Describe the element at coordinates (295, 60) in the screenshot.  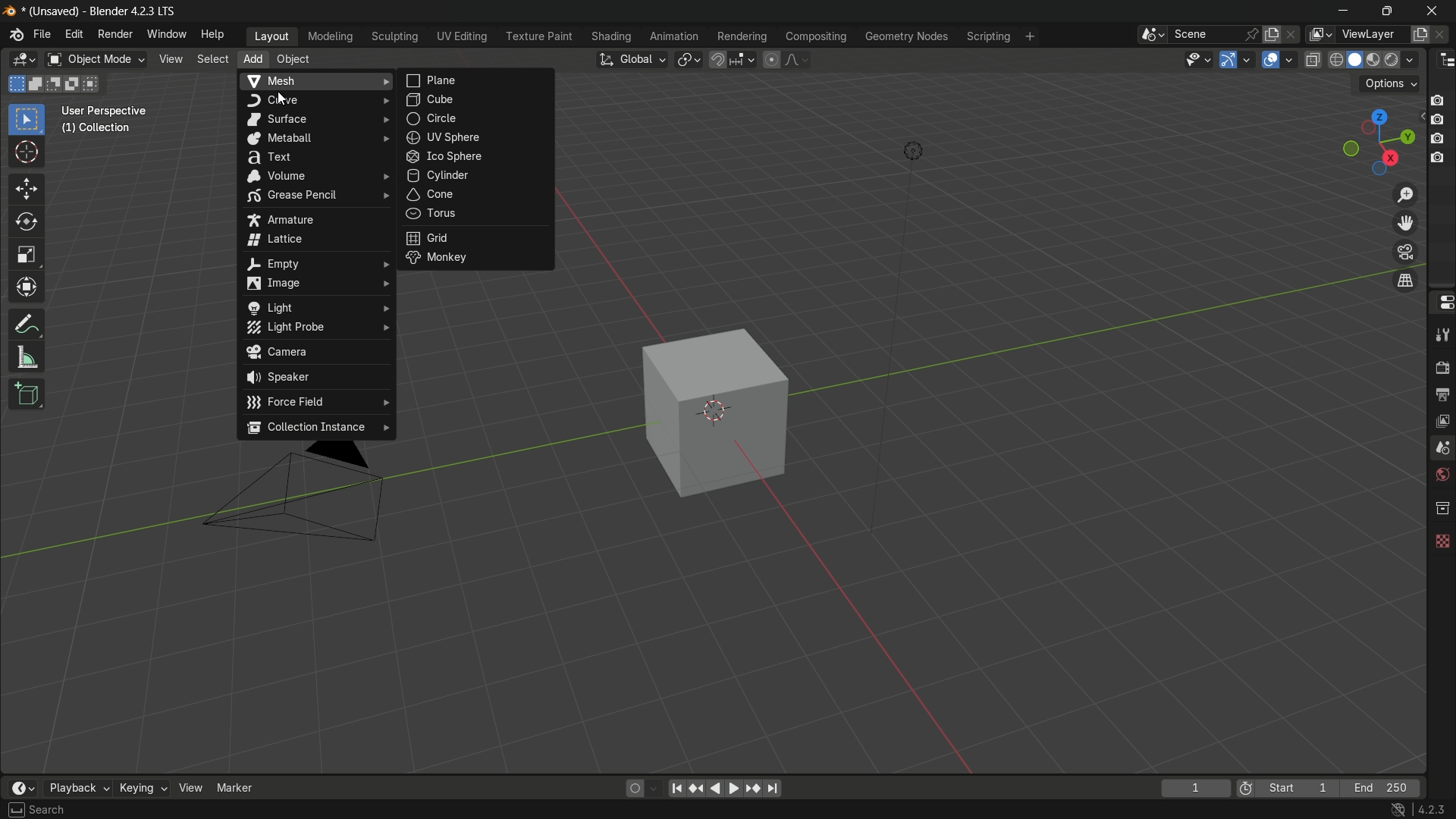
I see `object menu` at that location.